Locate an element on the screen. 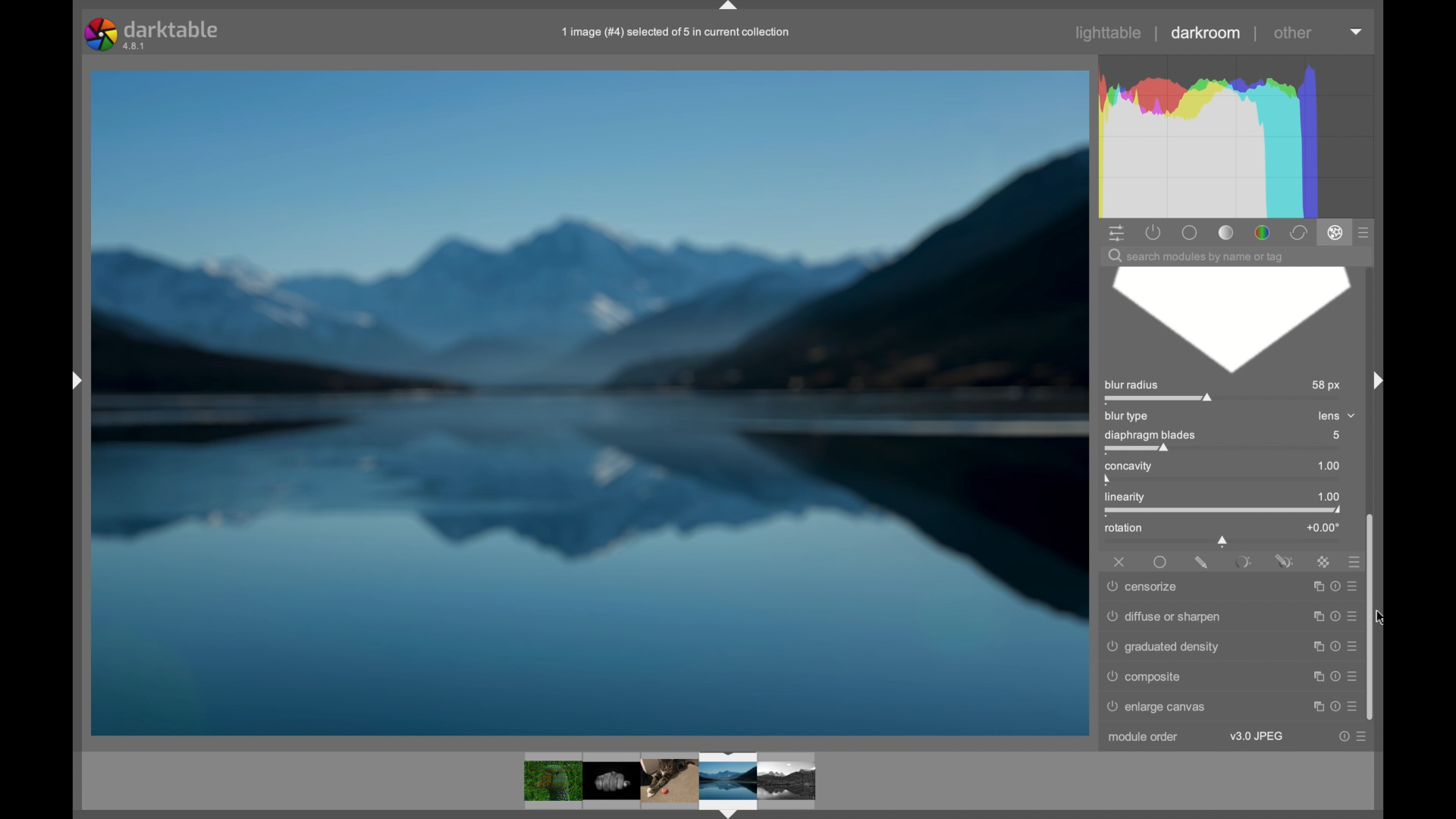  blur radius is located at coordinates (1161, 391).